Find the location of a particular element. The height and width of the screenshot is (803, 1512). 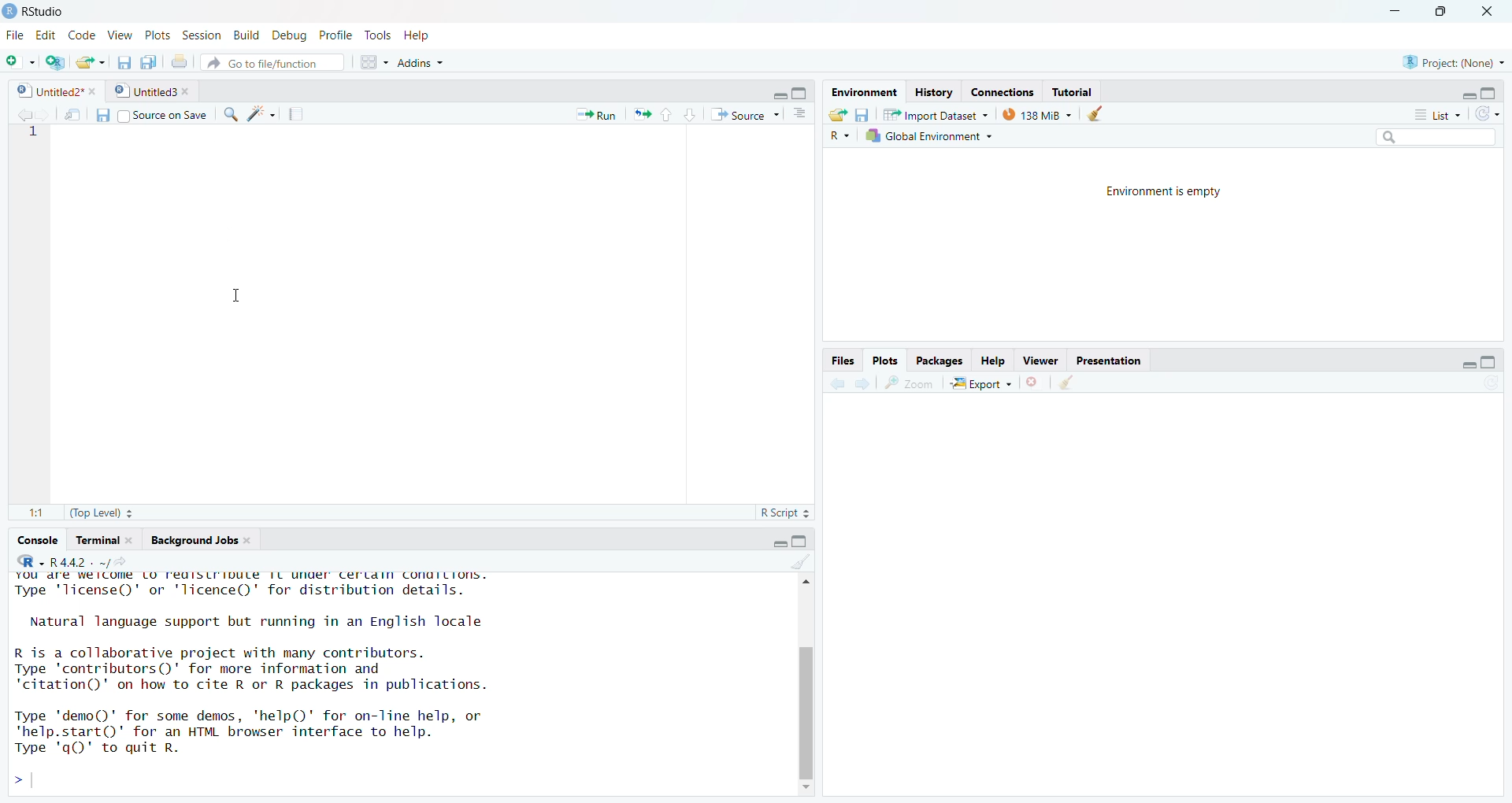

forward /backward is located at coordinates (847, 383).